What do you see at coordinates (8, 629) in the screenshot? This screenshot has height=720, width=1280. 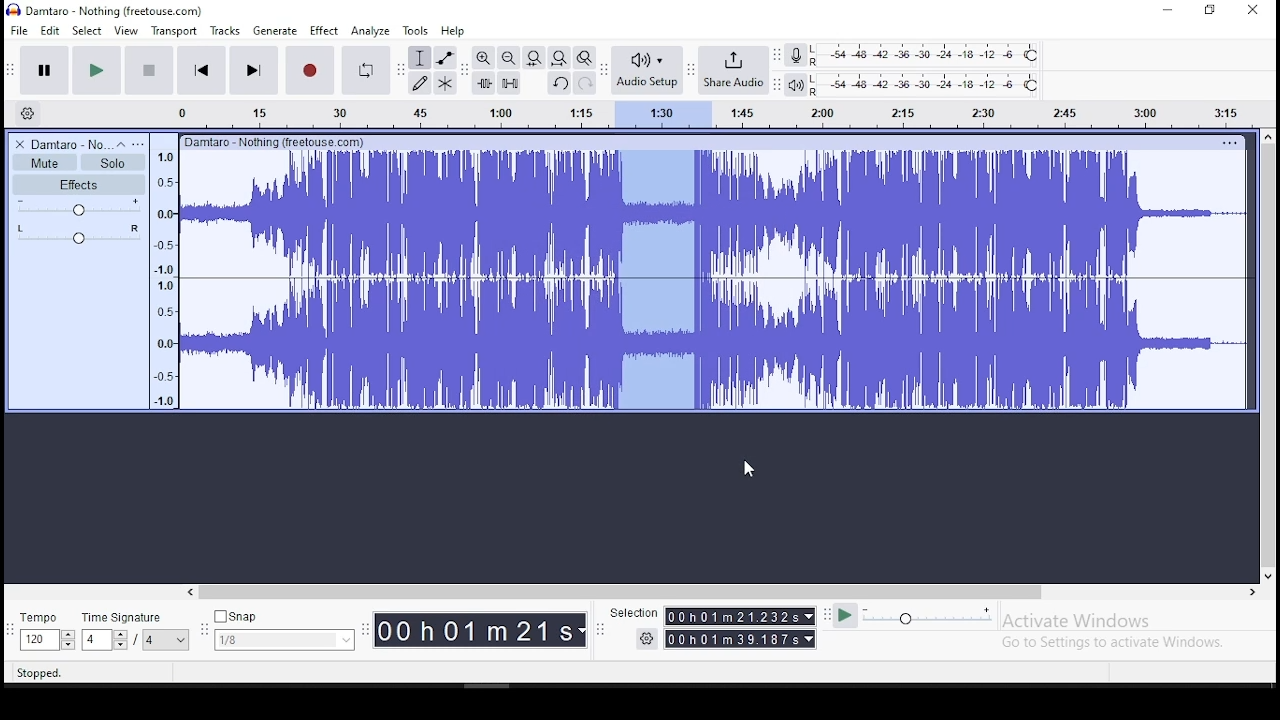 I see `` at bounding box center [8, 629].